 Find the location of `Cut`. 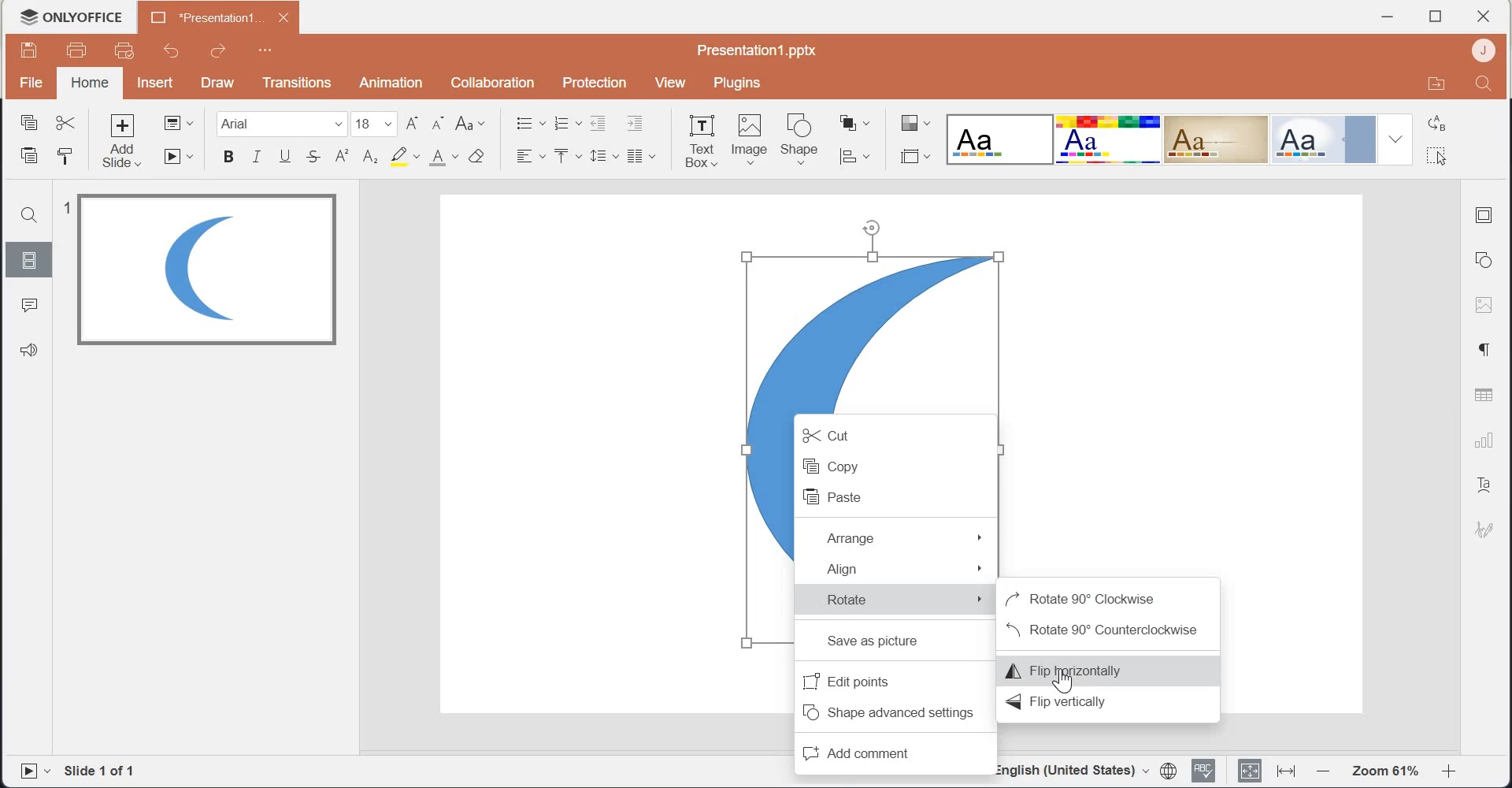

Cut is located at coordinates (67, 123).